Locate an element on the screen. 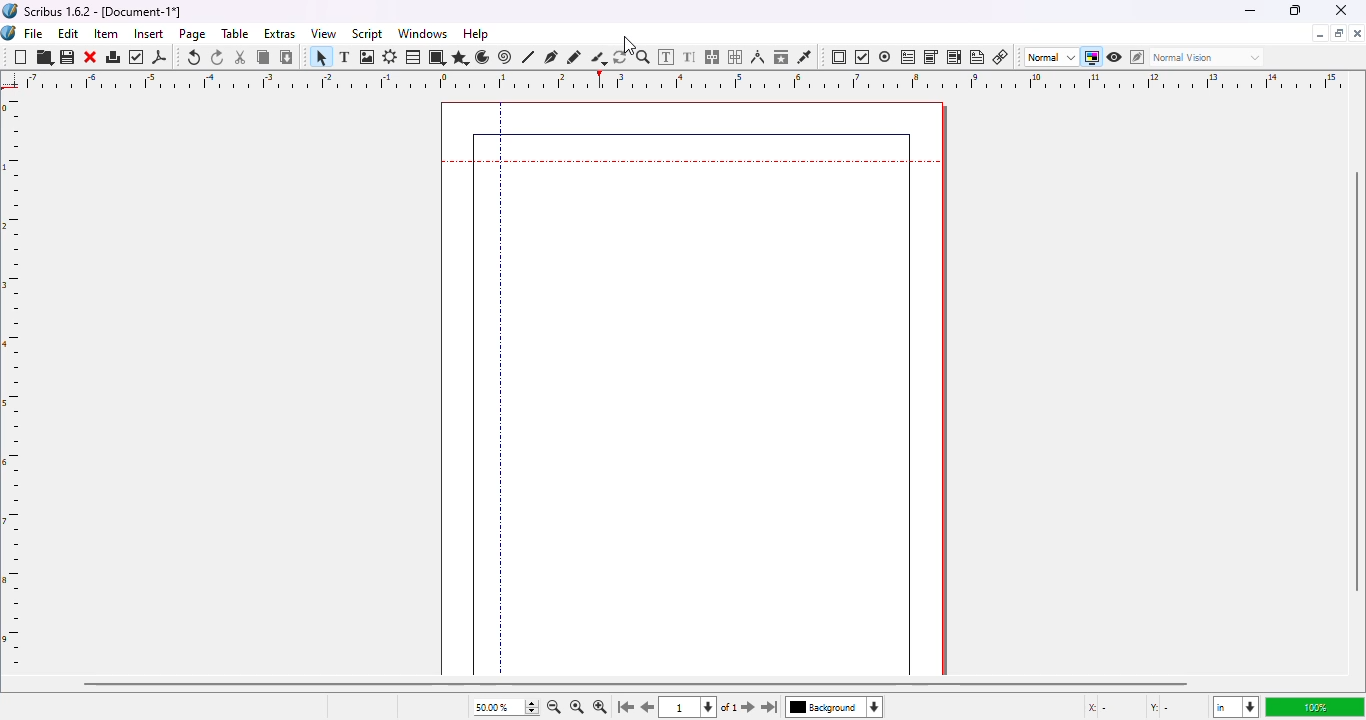  100% is located at coordinates (1311, 707).